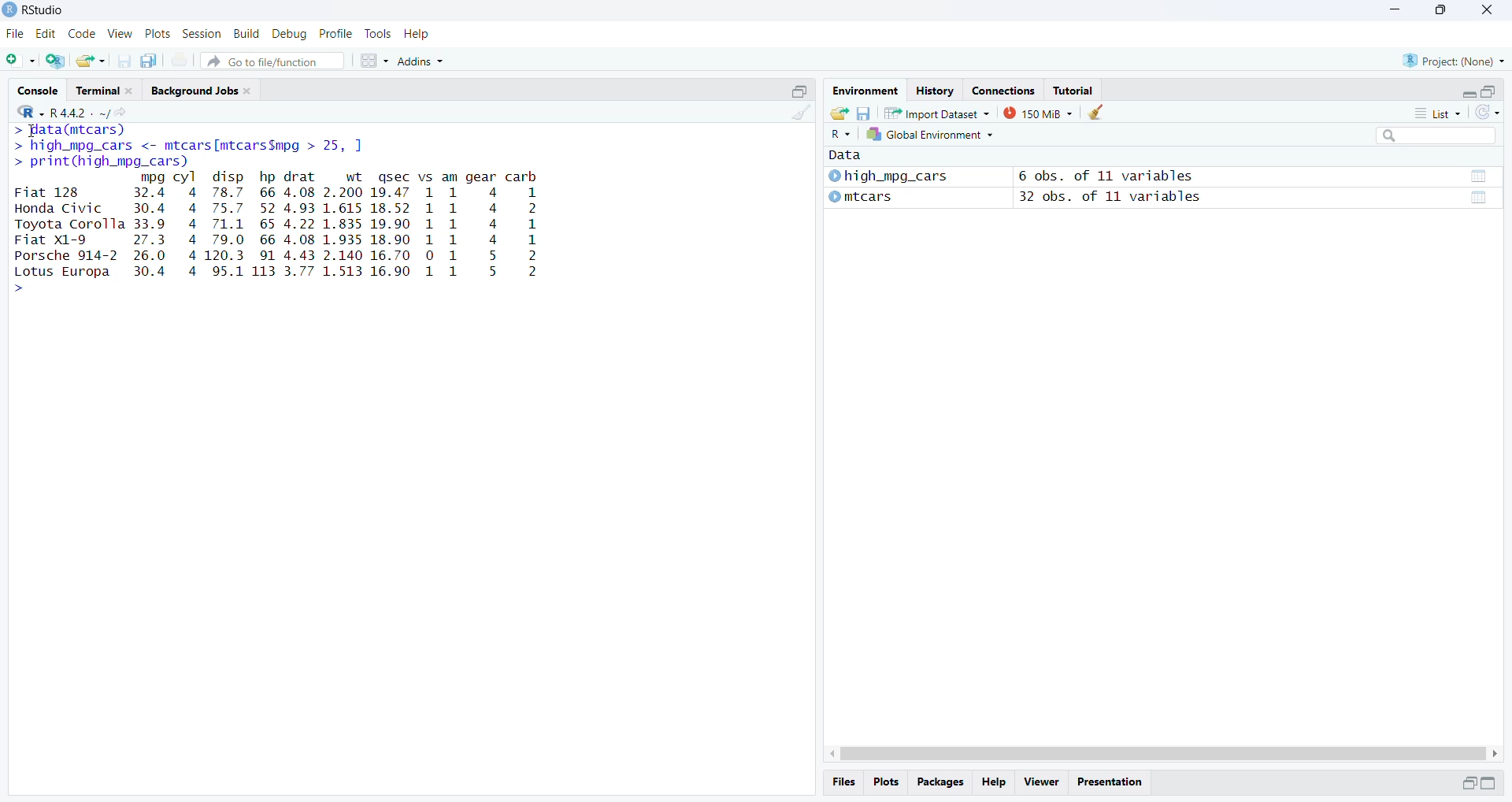 This screenshot has width=1512, height=802. Describe the element at coordinates (1106, 176) in the screenshot. I see `6 obs. of 11 variables` at that location.